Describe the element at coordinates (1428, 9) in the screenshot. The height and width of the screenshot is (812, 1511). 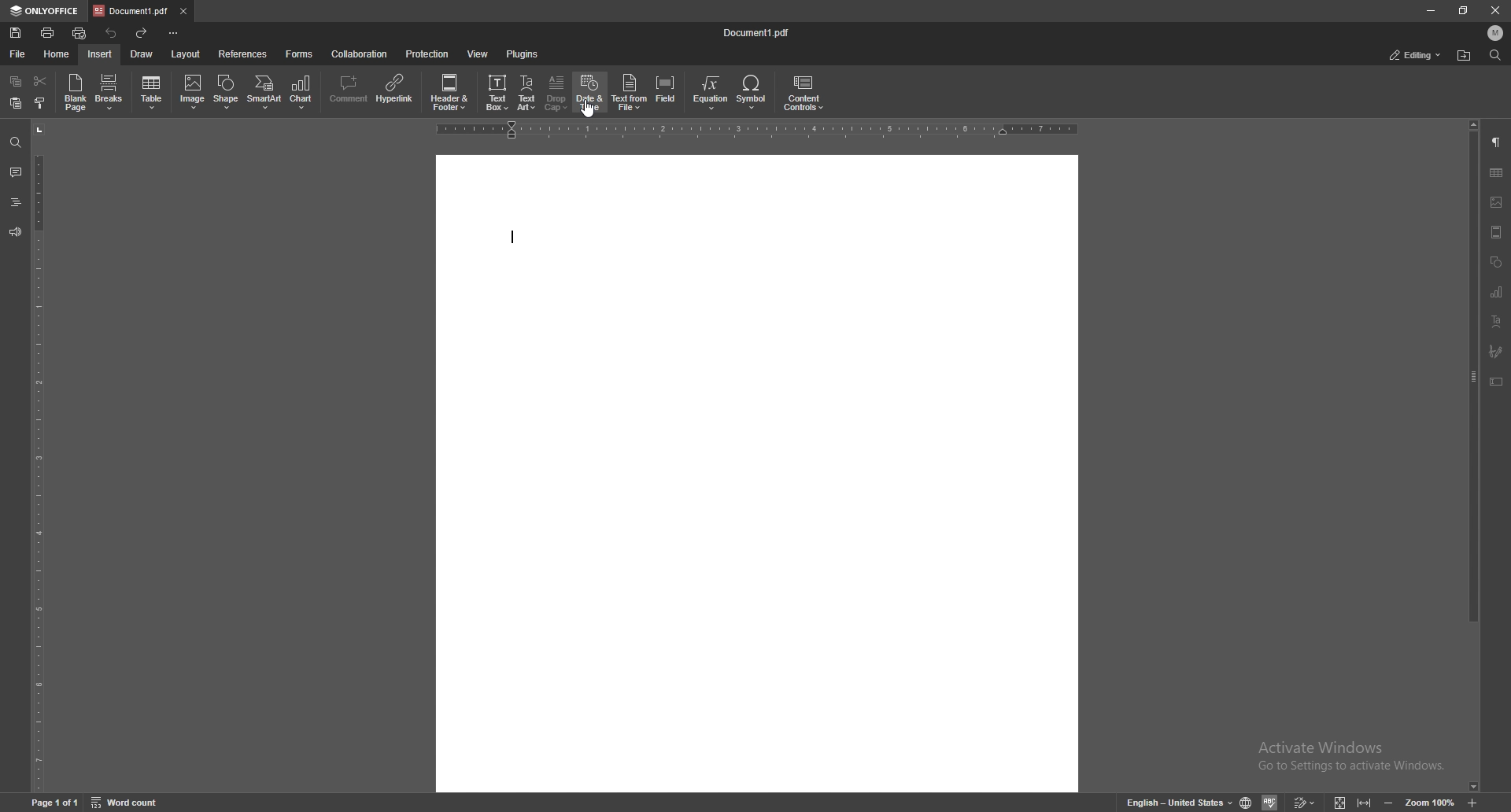
I see `minimize` at that location.